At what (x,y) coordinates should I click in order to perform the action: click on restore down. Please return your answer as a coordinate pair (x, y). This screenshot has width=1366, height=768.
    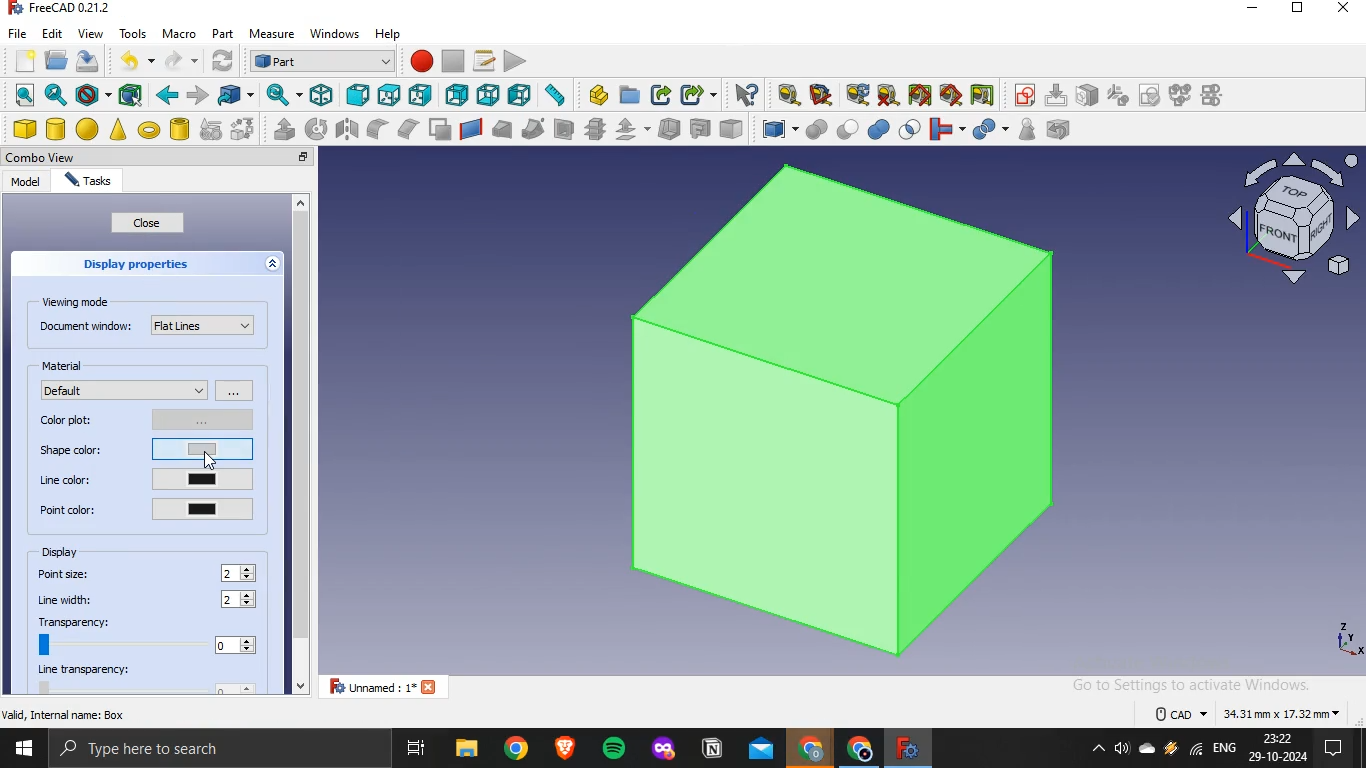
    Looking at the image, I should click on (1297, 10).